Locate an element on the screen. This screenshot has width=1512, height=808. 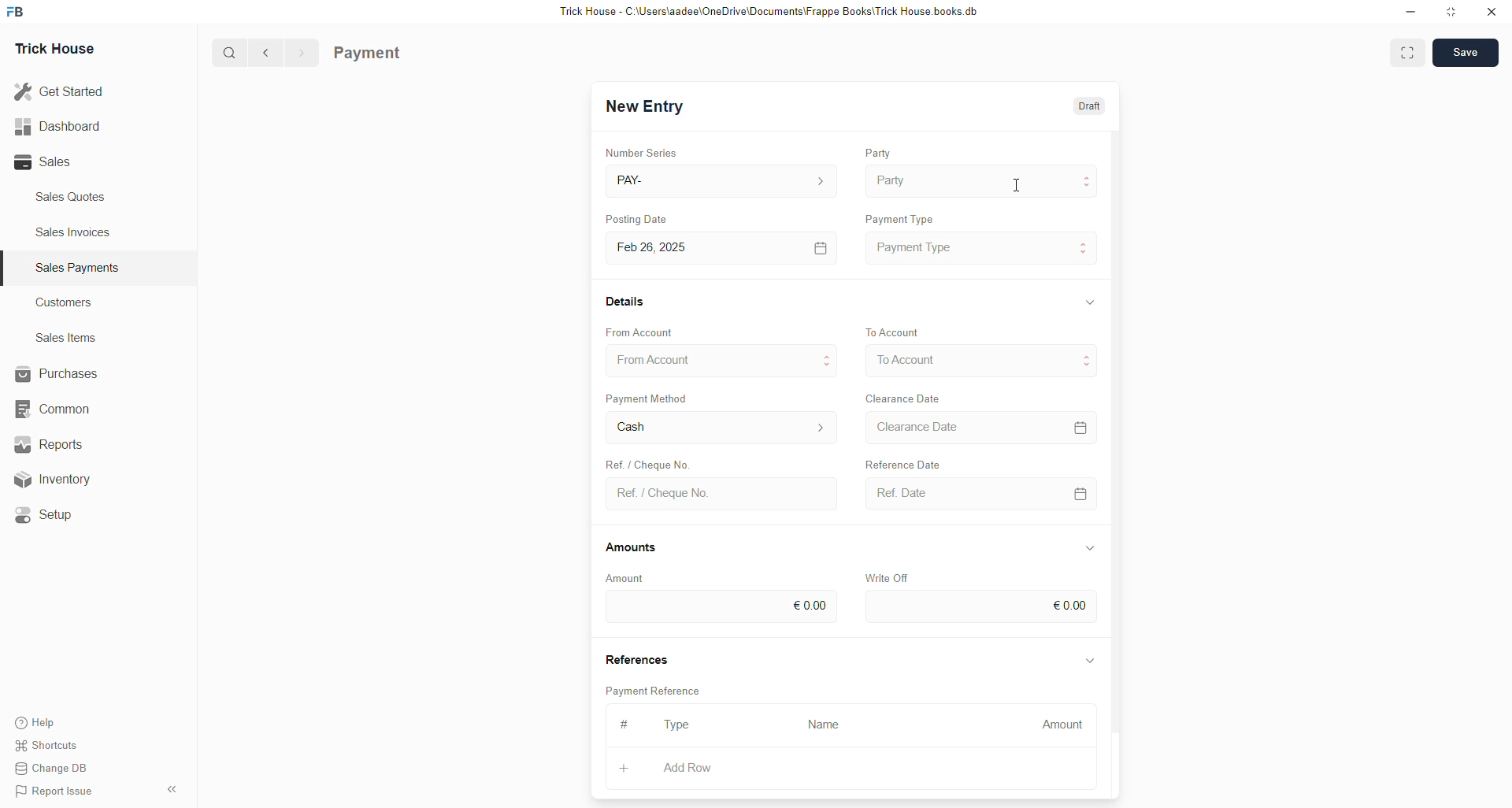
Party is located at coordinates (984, 181).